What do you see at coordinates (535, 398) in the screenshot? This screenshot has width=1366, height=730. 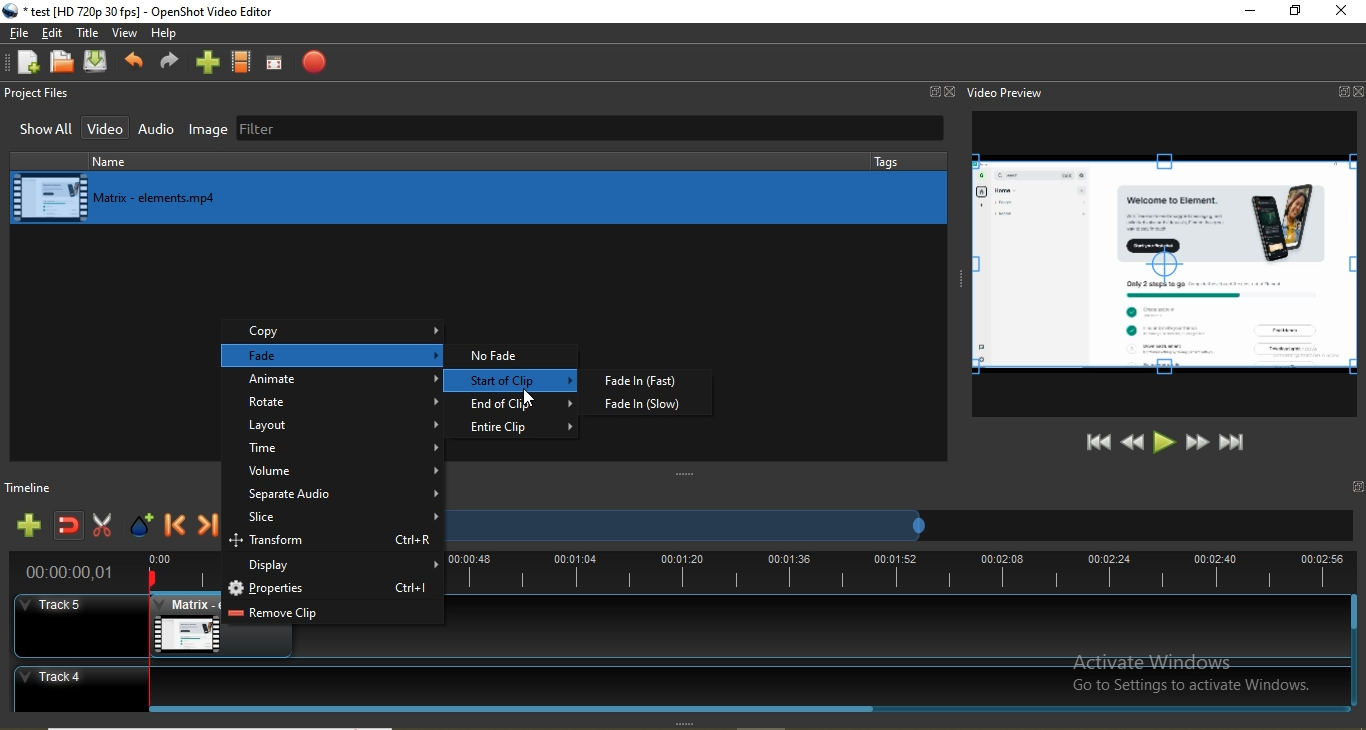 I see `cursor` at bounding box center [535, 398].